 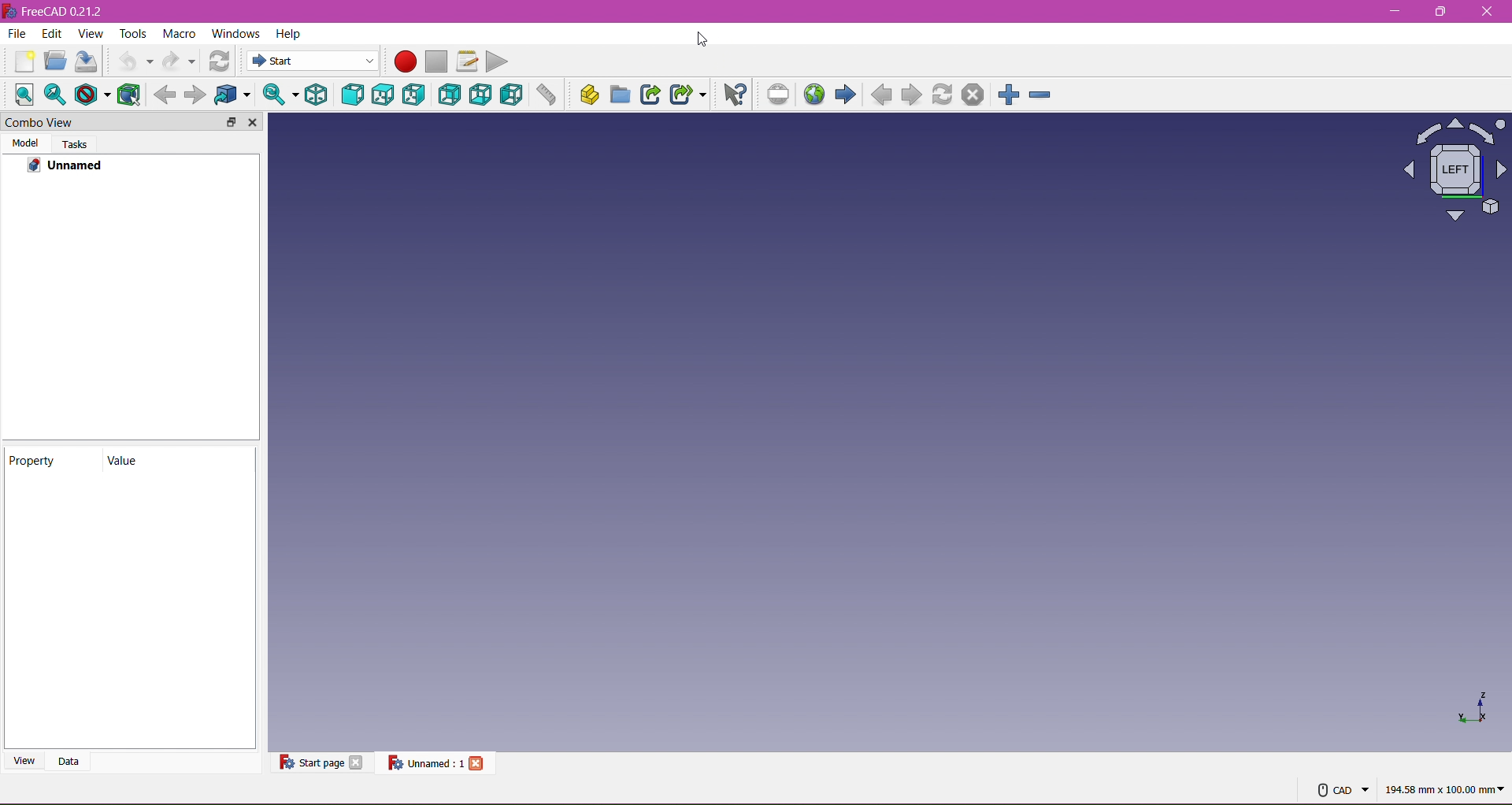 What do you see at coordinates (288, 32) in the screenshot?
I see `Help` at bounding box center [288, 32].